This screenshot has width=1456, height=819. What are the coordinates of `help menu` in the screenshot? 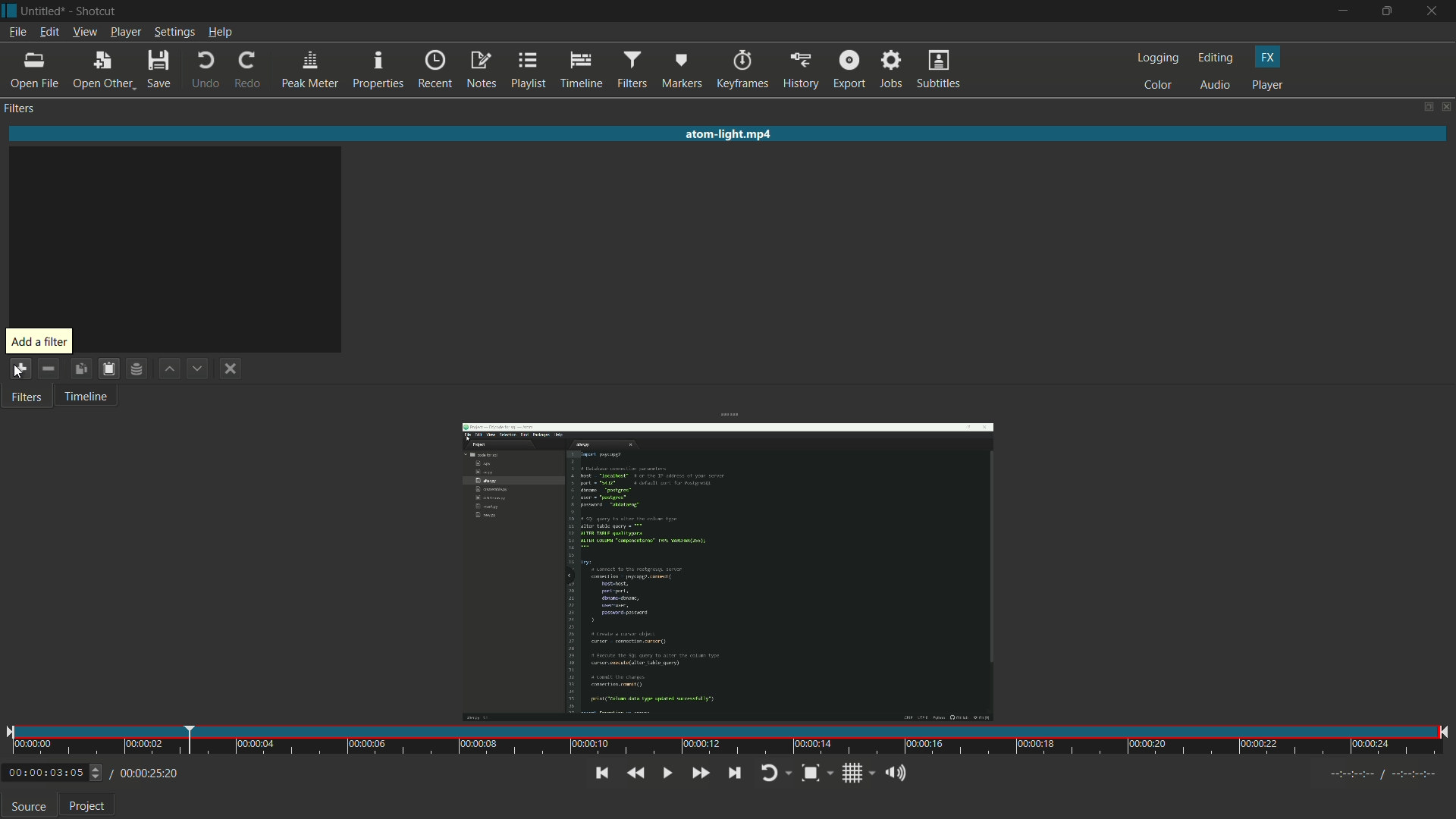 It's located at (221, 33).